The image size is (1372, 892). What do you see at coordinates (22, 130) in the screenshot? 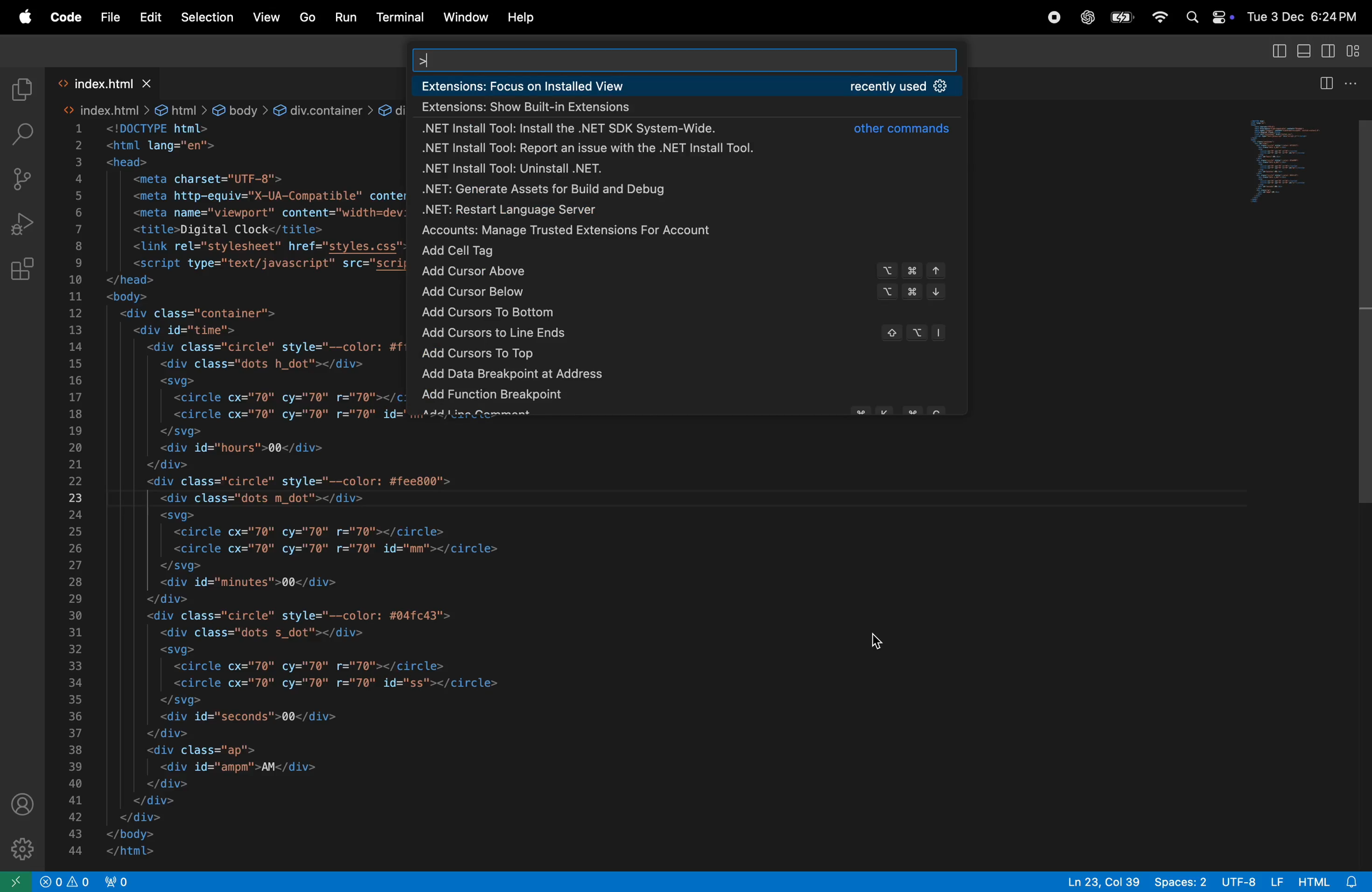
I see `search` at bounding box center [22, 130].